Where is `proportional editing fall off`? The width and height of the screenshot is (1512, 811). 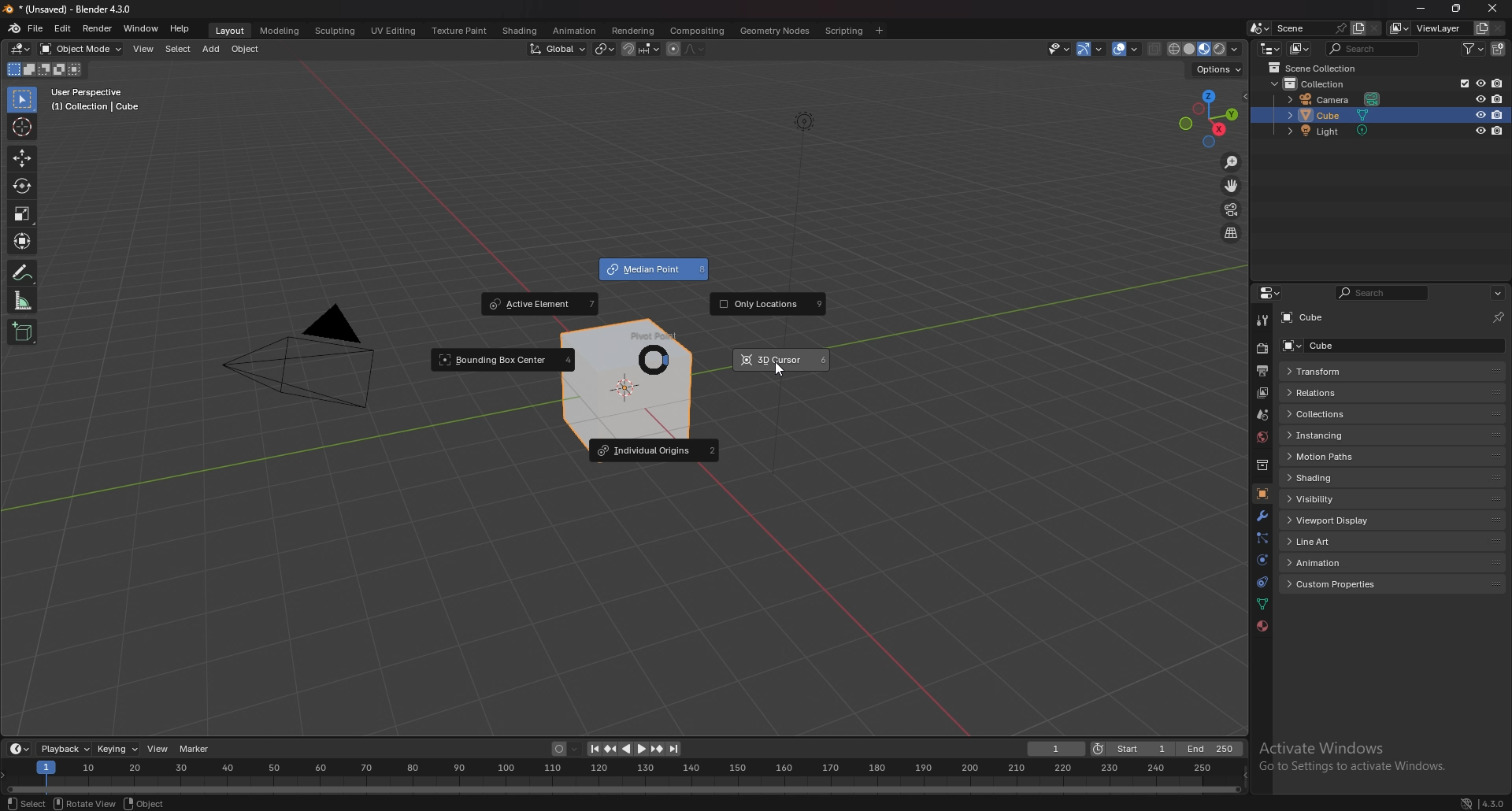 proportional editing fall off is located at coordinates (693, 50).